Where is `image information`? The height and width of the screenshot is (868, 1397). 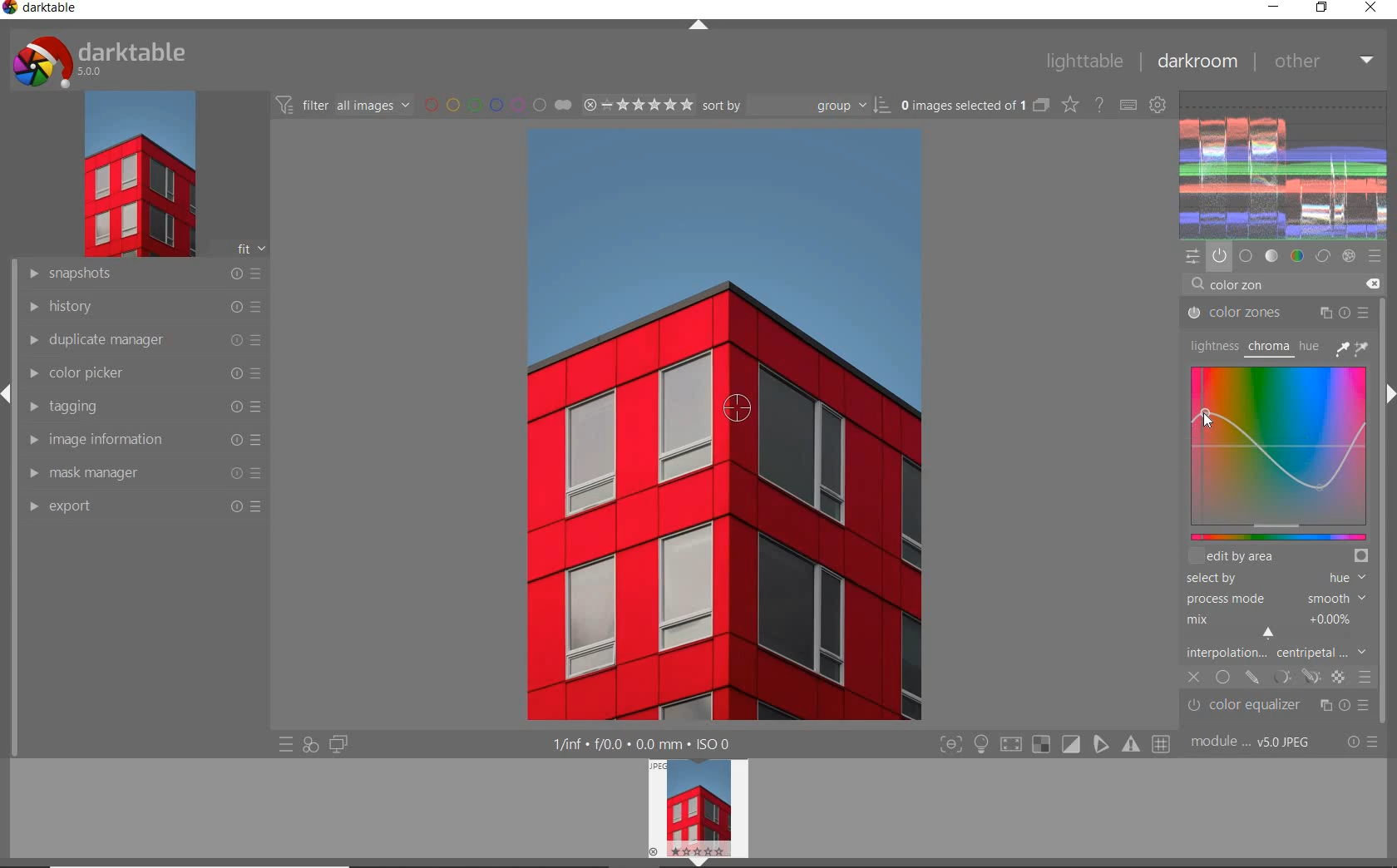
image information is located at coordinates (142, 441).